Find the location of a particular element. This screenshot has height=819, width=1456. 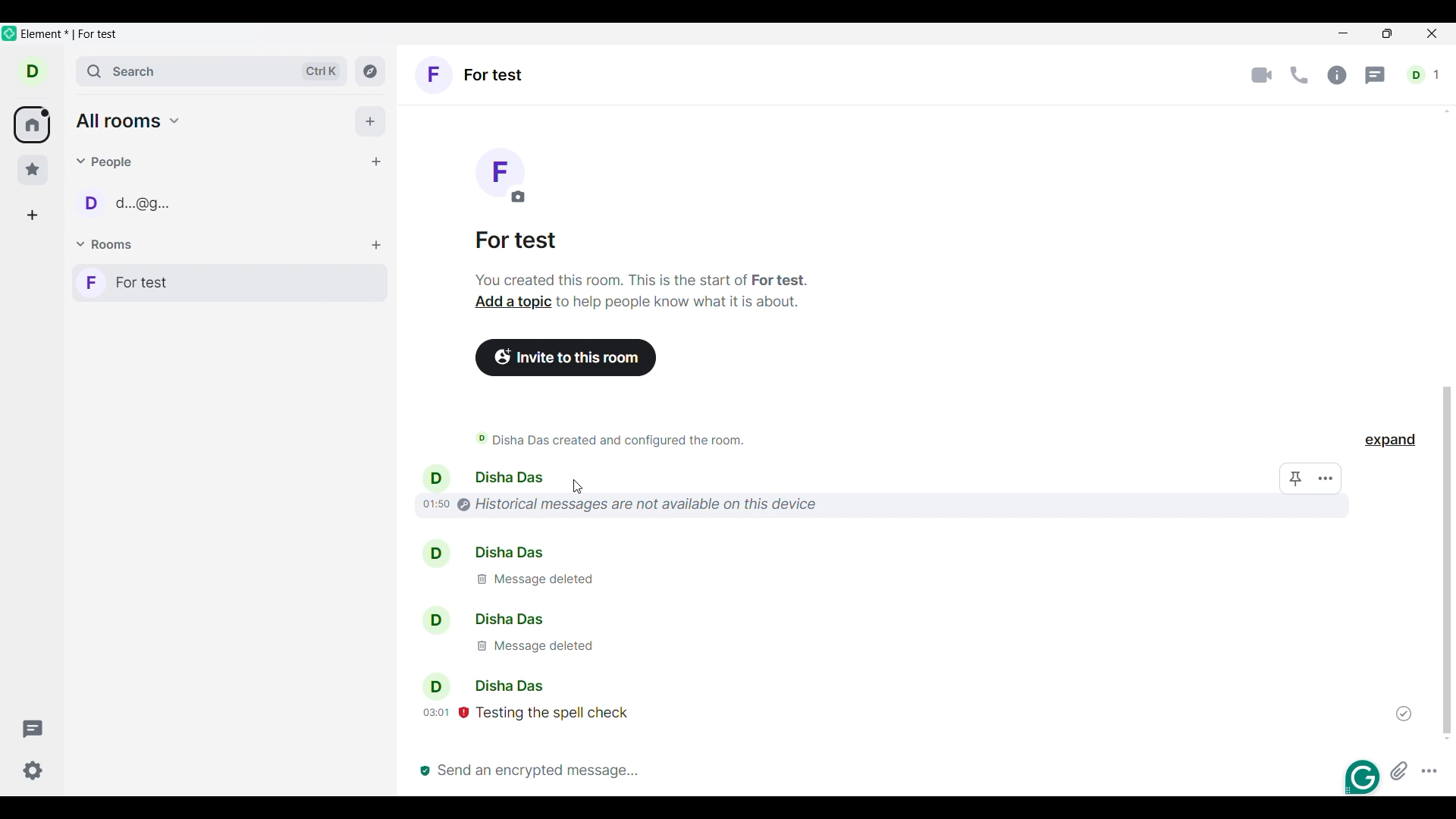

Message box is located at coordinates (868, 769).